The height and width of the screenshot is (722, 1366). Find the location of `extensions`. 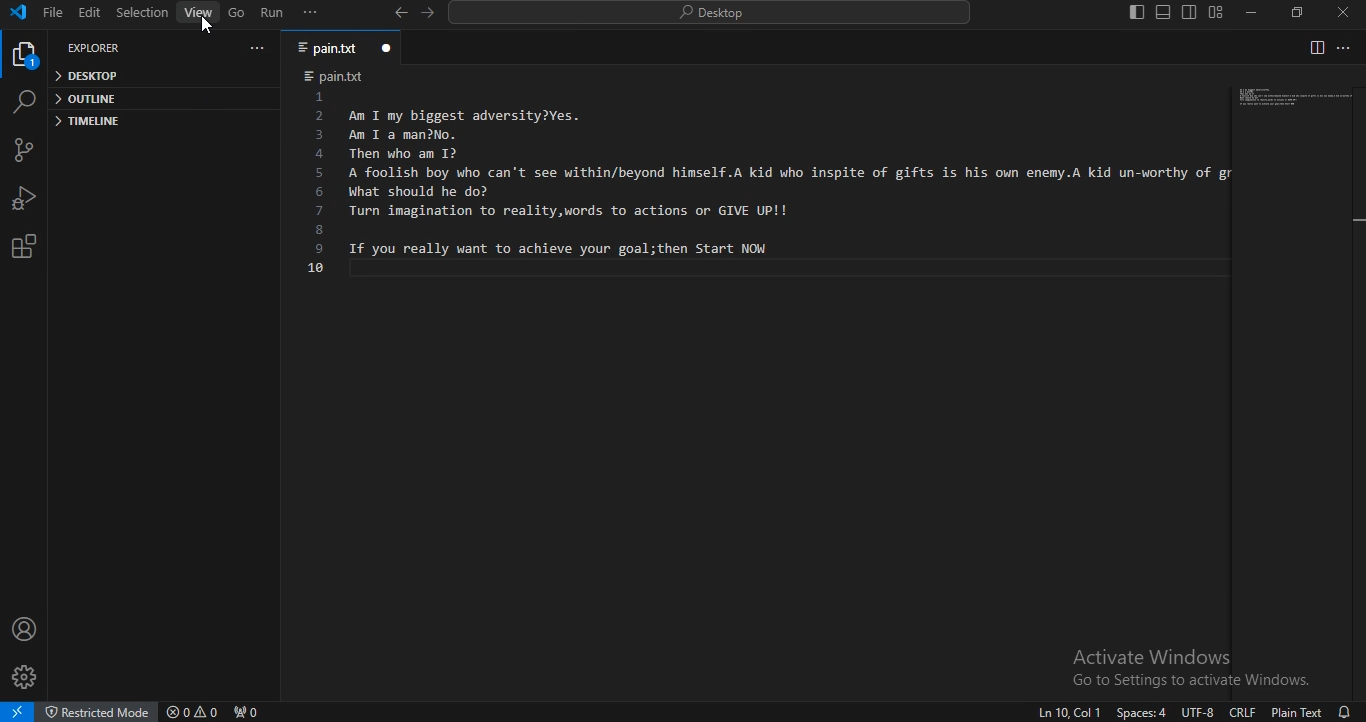

extensions is located at coordinates (20, 249).